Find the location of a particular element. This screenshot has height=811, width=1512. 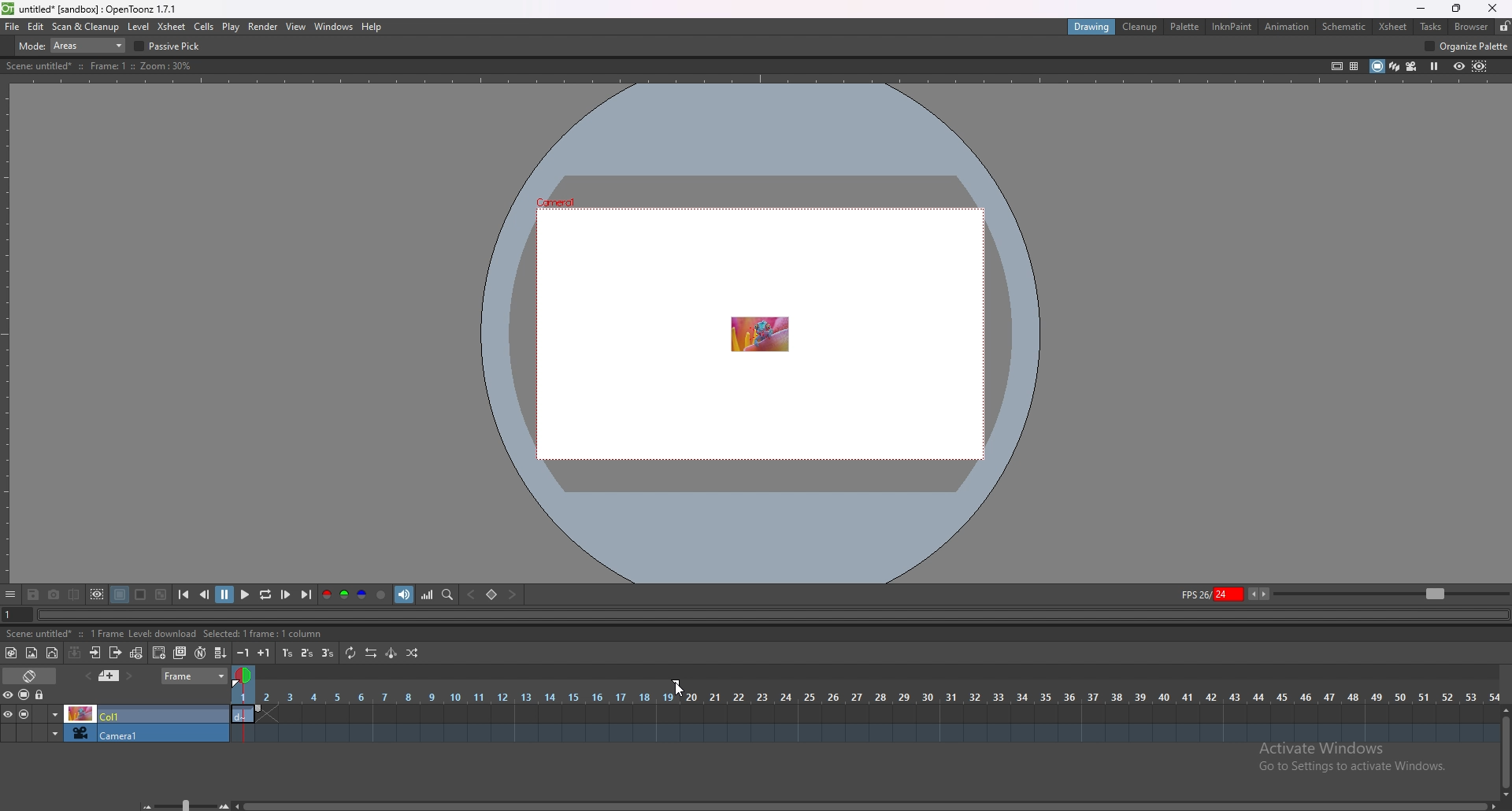

windows is located at coordinates (334, 27).